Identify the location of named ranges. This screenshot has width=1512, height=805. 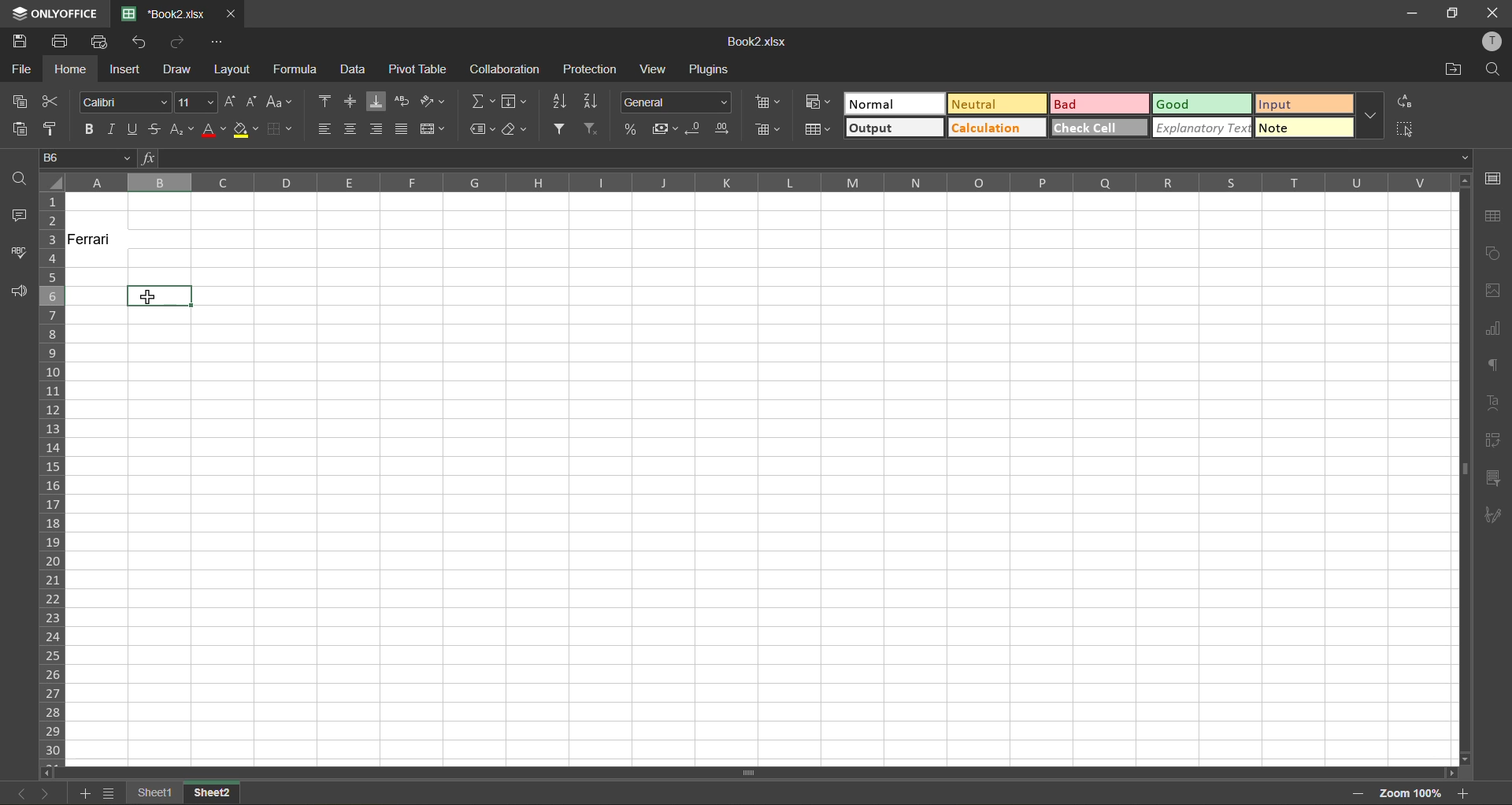
(483, 131).